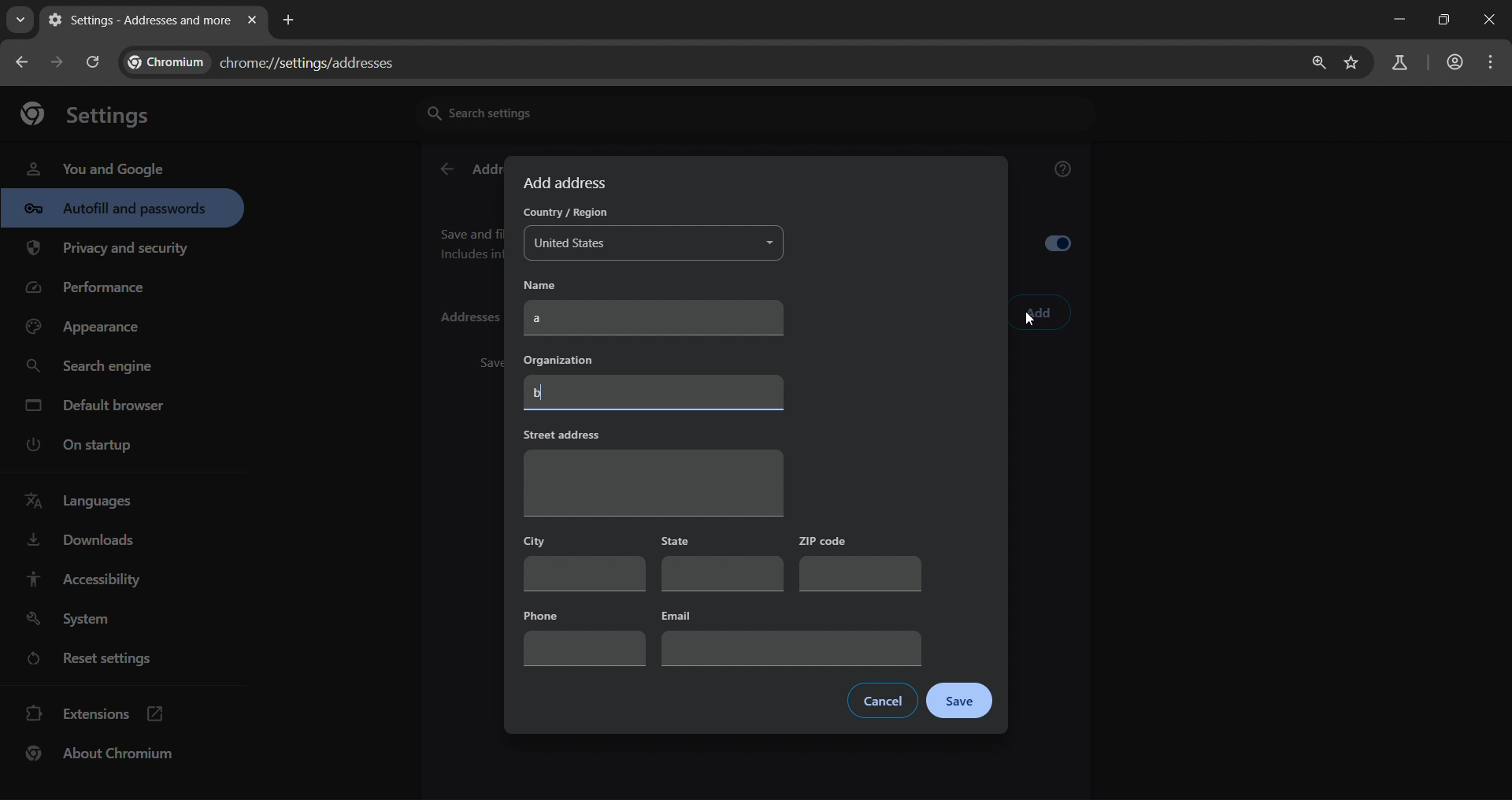 The image size is (1512, 800). I want to click on close, so click(1492, 21).